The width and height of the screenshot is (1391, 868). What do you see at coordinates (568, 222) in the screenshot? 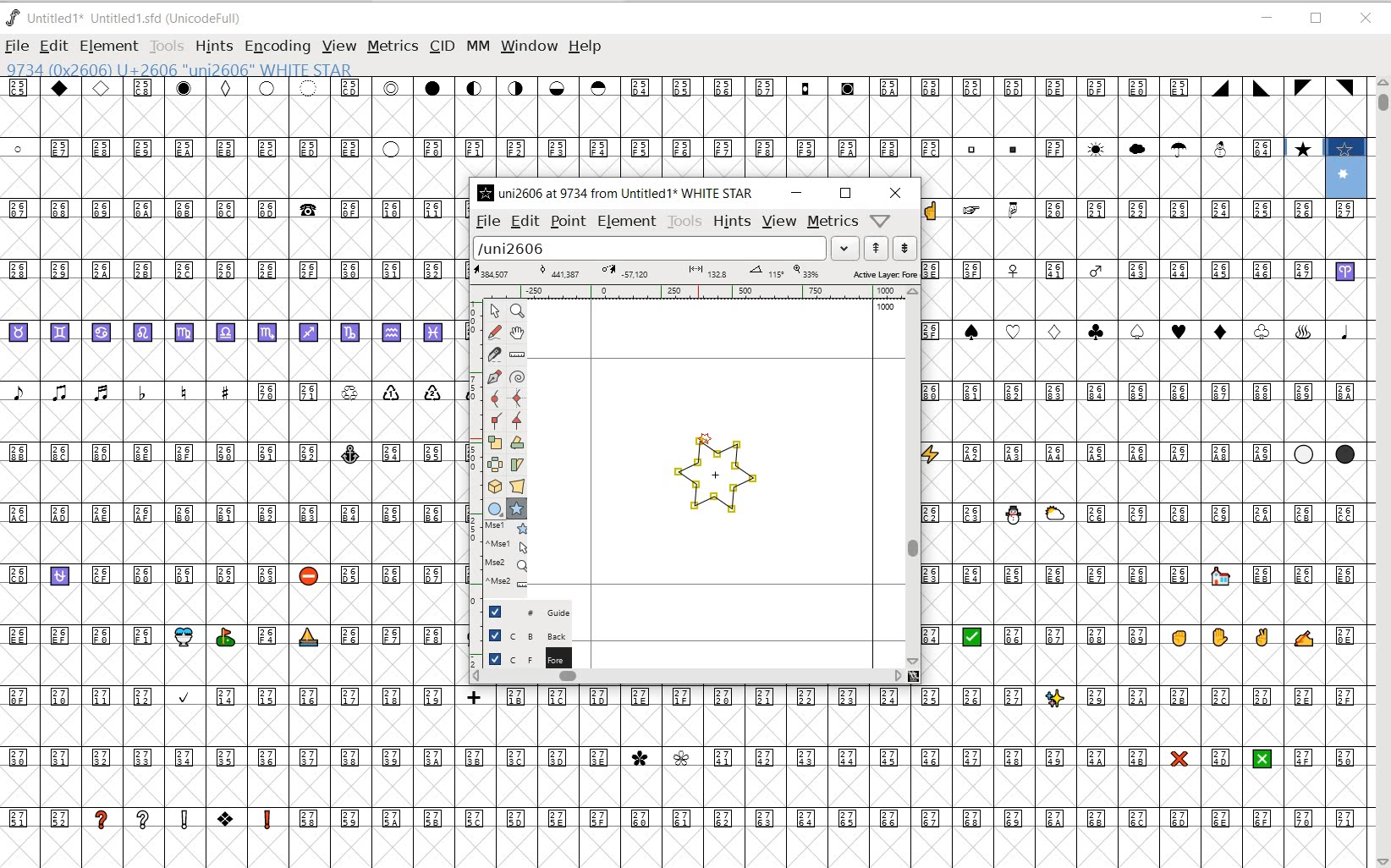
I see `POINT` at bounding box center [568, 222].